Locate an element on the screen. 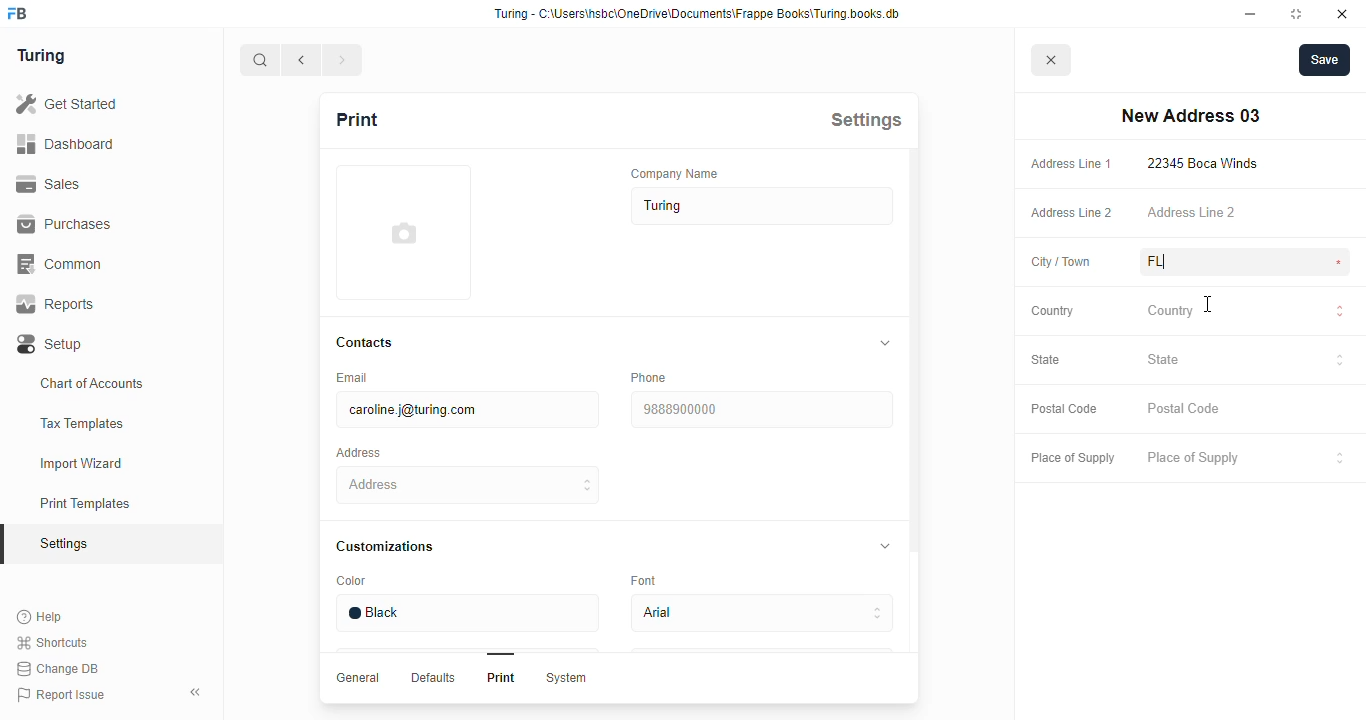 The width and height of the screenshot is (1366, 720). toggle maximize is located at coordinates (1295, 13).